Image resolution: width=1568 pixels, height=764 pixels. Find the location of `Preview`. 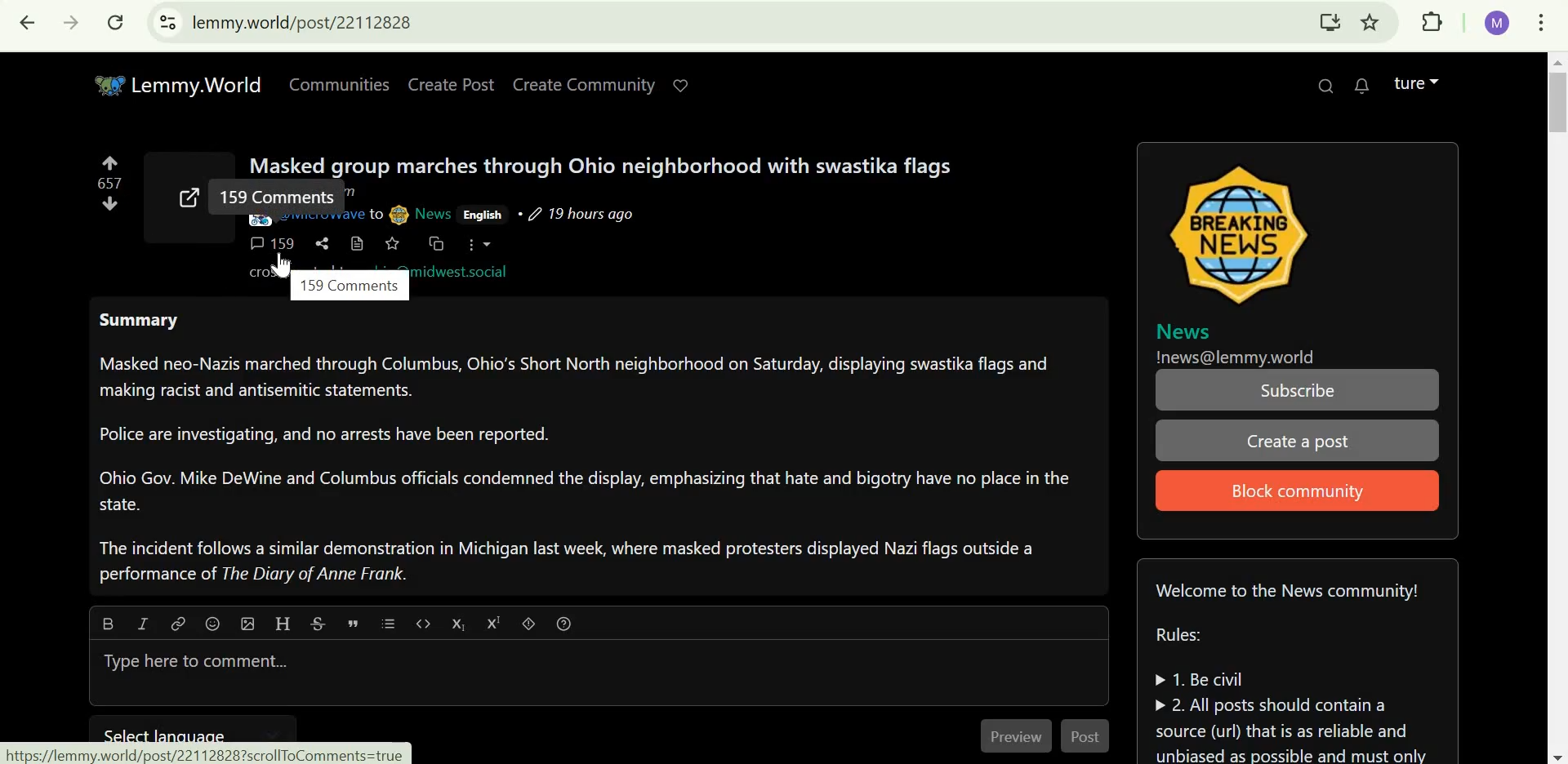

Preview is located at coordinates (1012, 738).